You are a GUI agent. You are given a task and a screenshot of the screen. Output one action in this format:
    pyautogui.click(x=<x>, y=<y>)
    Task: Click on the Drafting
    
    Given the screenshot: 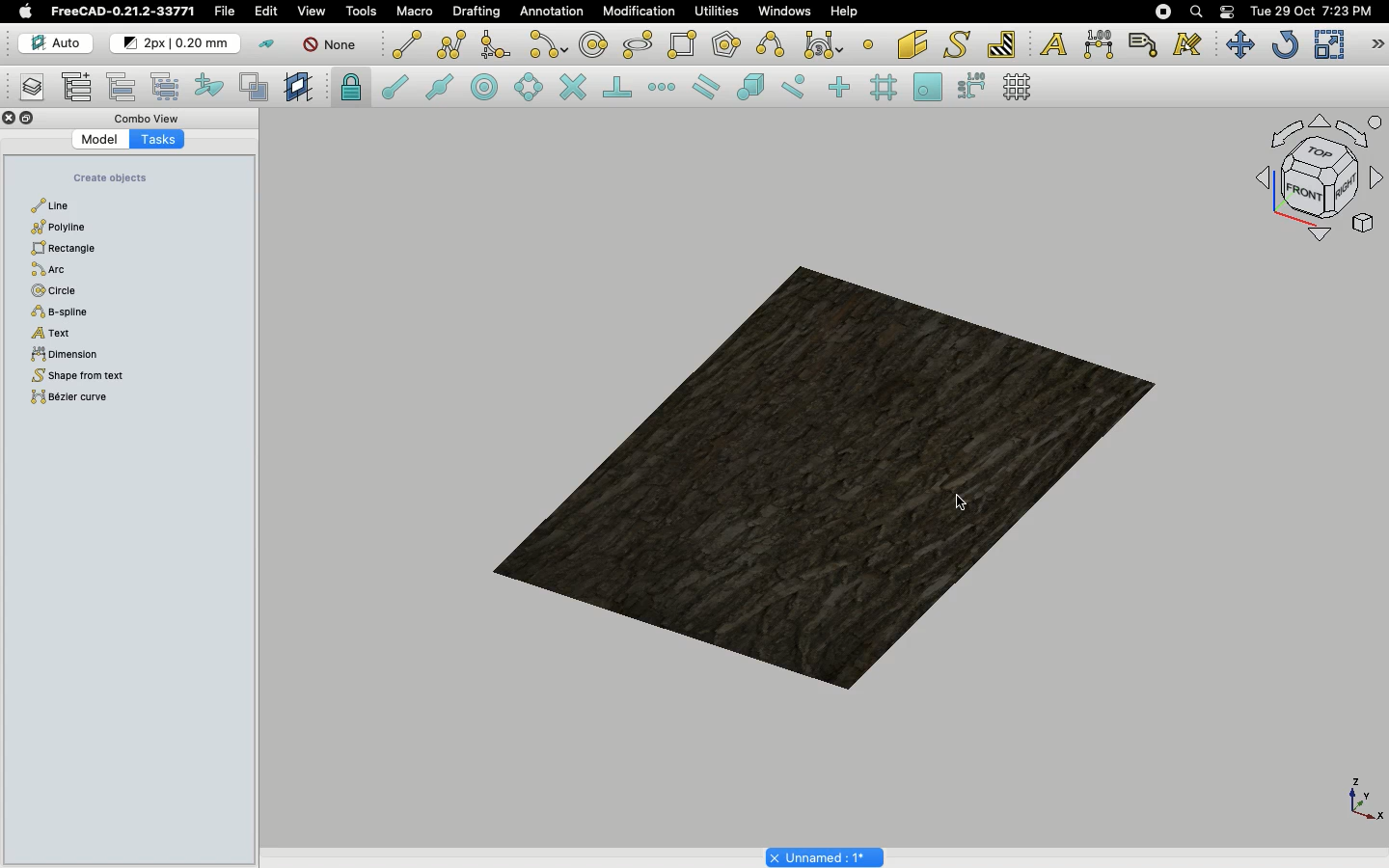 What is the action you would take?
    pyautogui.click(x=477, y=13)
    